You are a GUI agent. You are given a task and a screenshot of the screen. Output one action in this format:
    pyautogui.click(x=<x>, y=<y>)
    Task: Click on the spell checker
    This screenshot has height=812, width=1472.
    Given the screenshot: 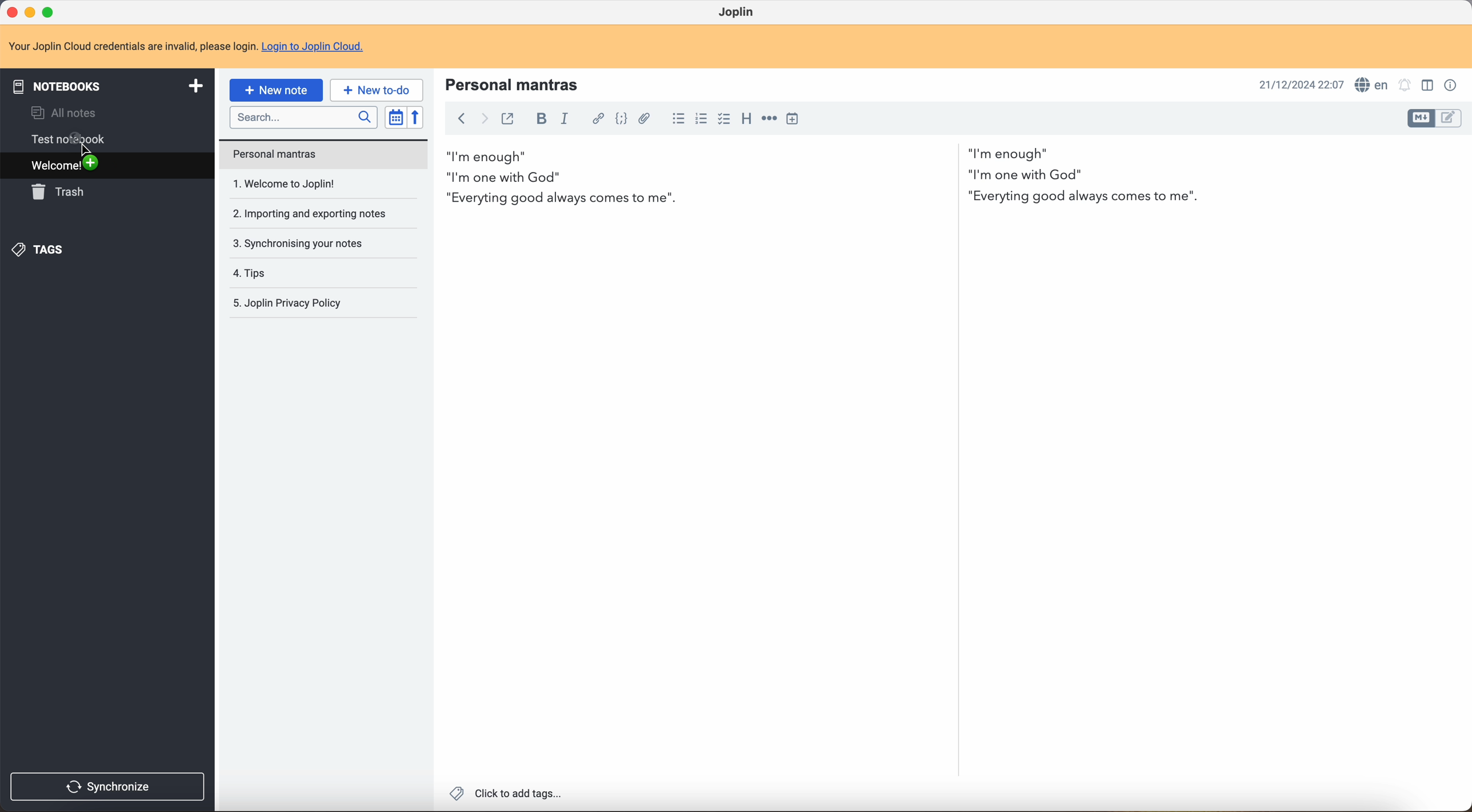 What is the action you would take?
    pyautogui.click(x=1373, y=83)
    